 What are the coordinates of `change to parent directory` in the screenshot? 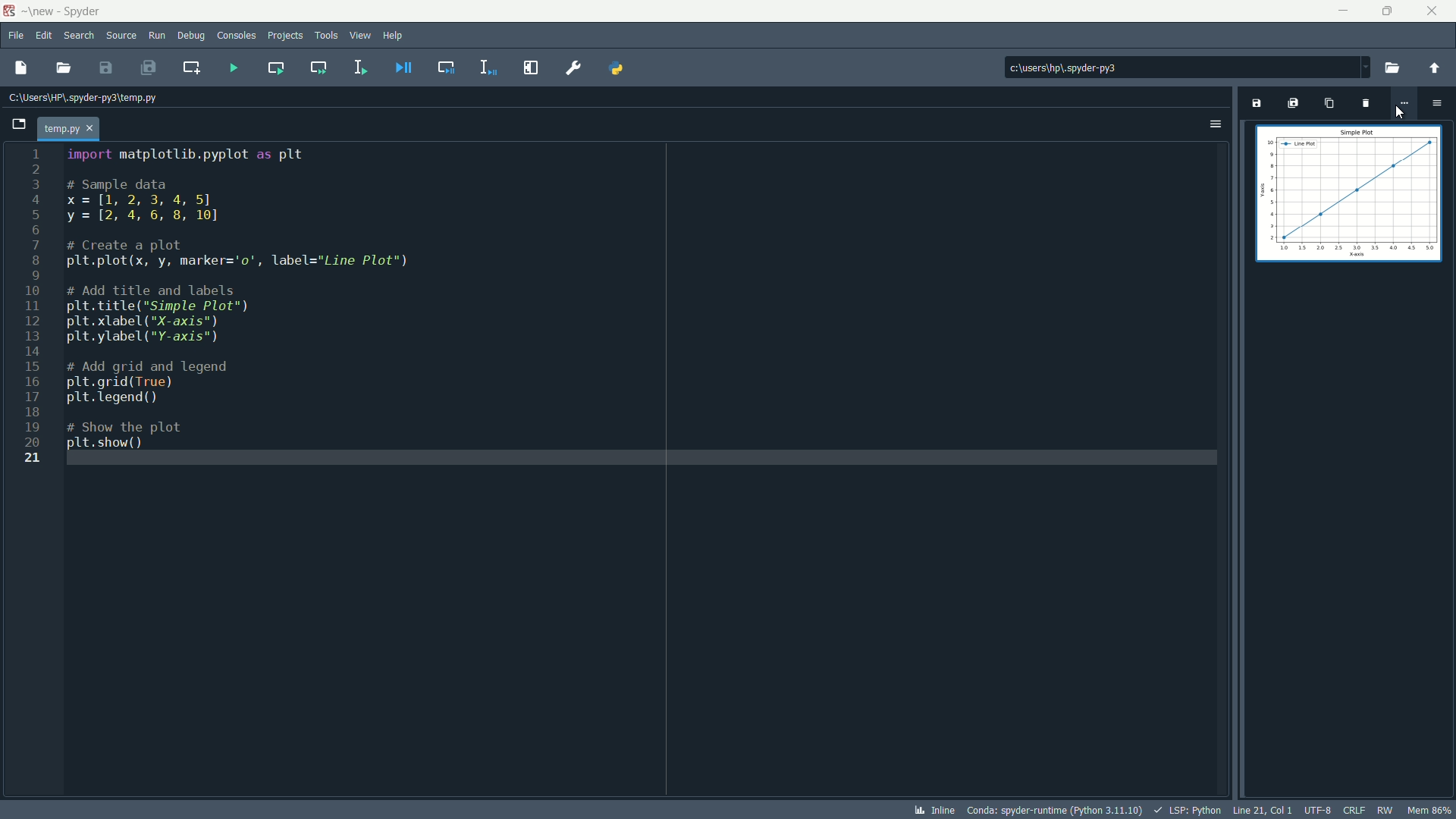 It's located at (1436, 65).